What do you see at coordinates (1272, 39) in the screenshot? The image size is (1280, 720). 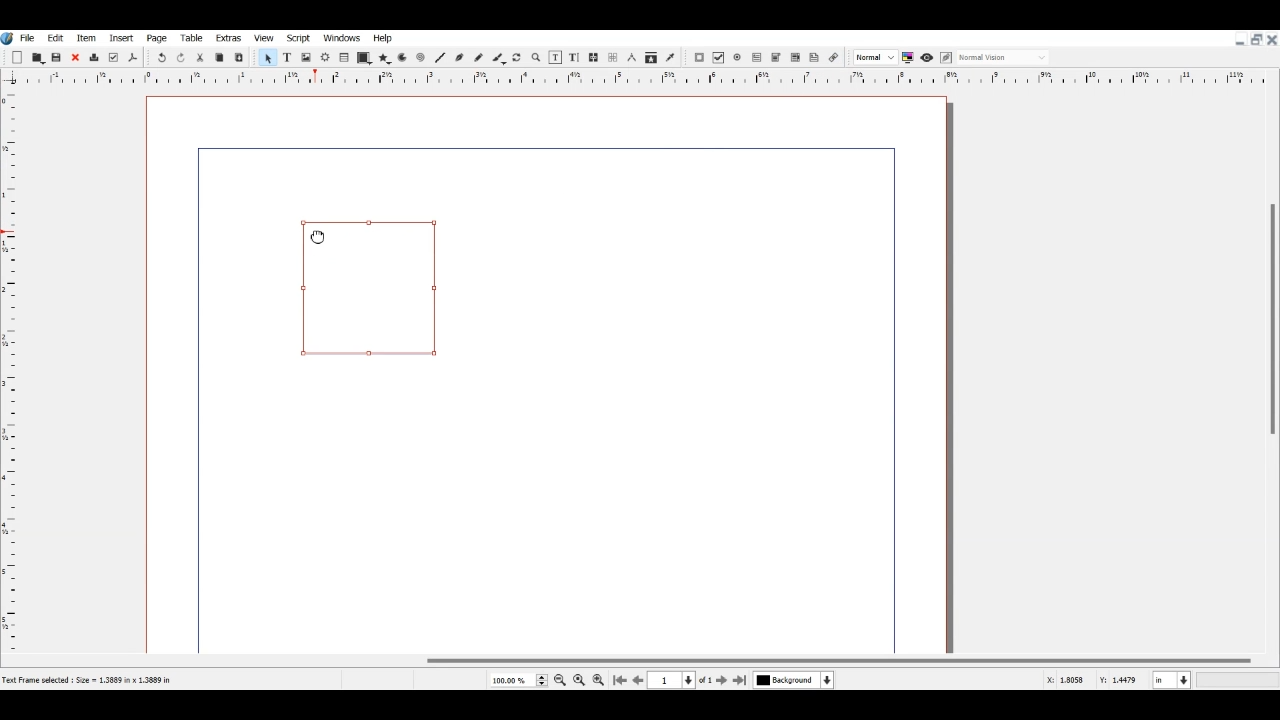 I see `Close` at bounding box center [1272, 39].